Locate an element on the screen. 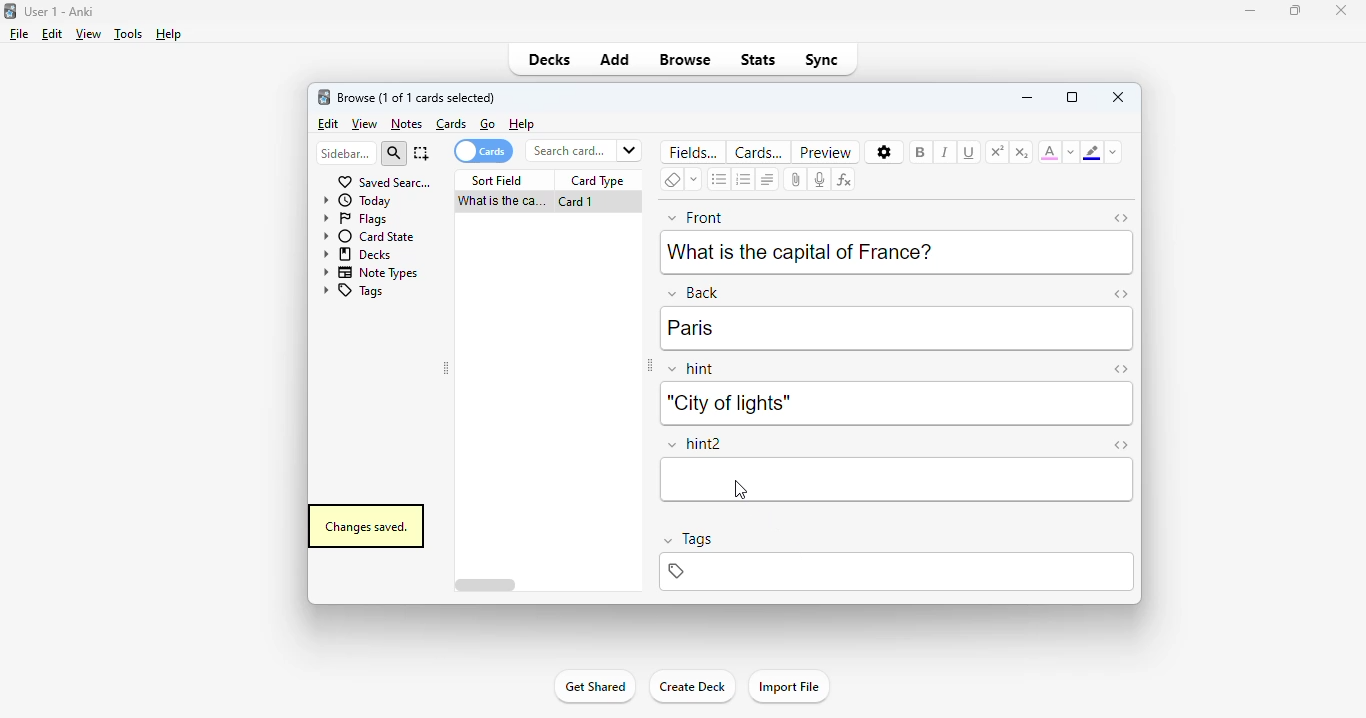 The height and width of the screenshot is (718, 1366). toggle sidebar is located at coordinates (447, 369).